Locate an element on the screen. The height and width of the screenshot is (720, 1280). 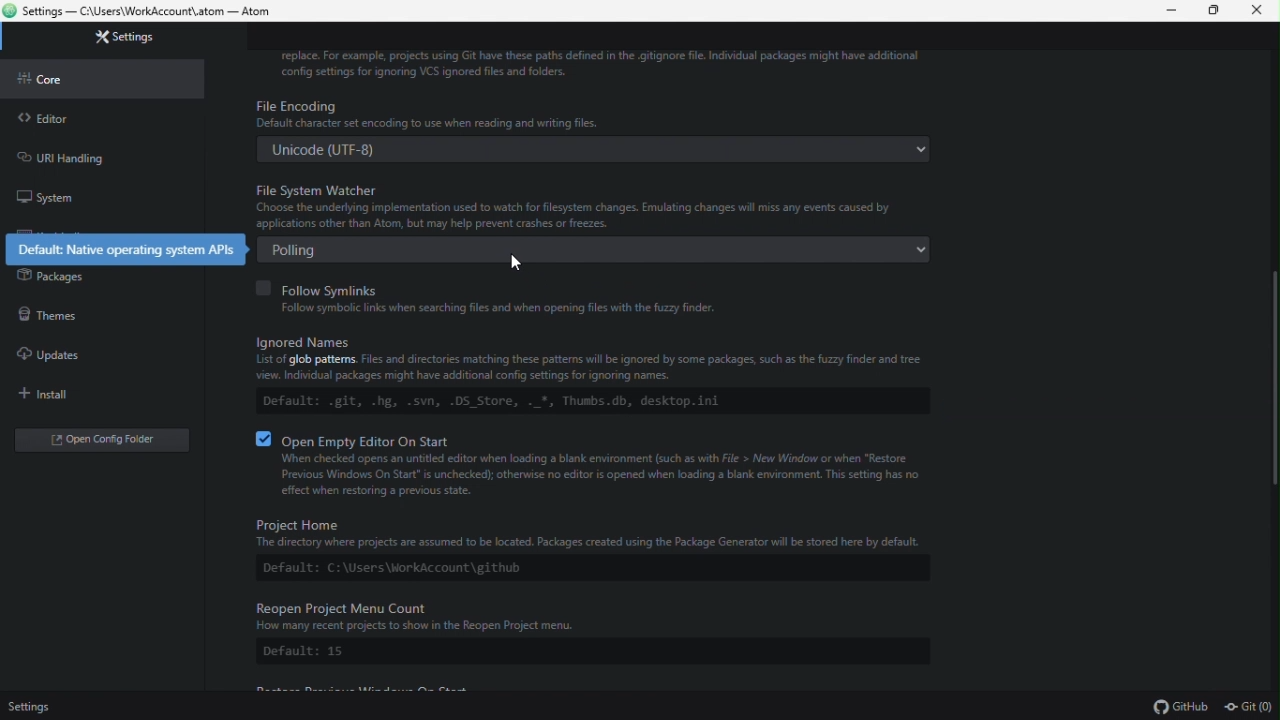
maximize is located at coordinates (1209, 11).